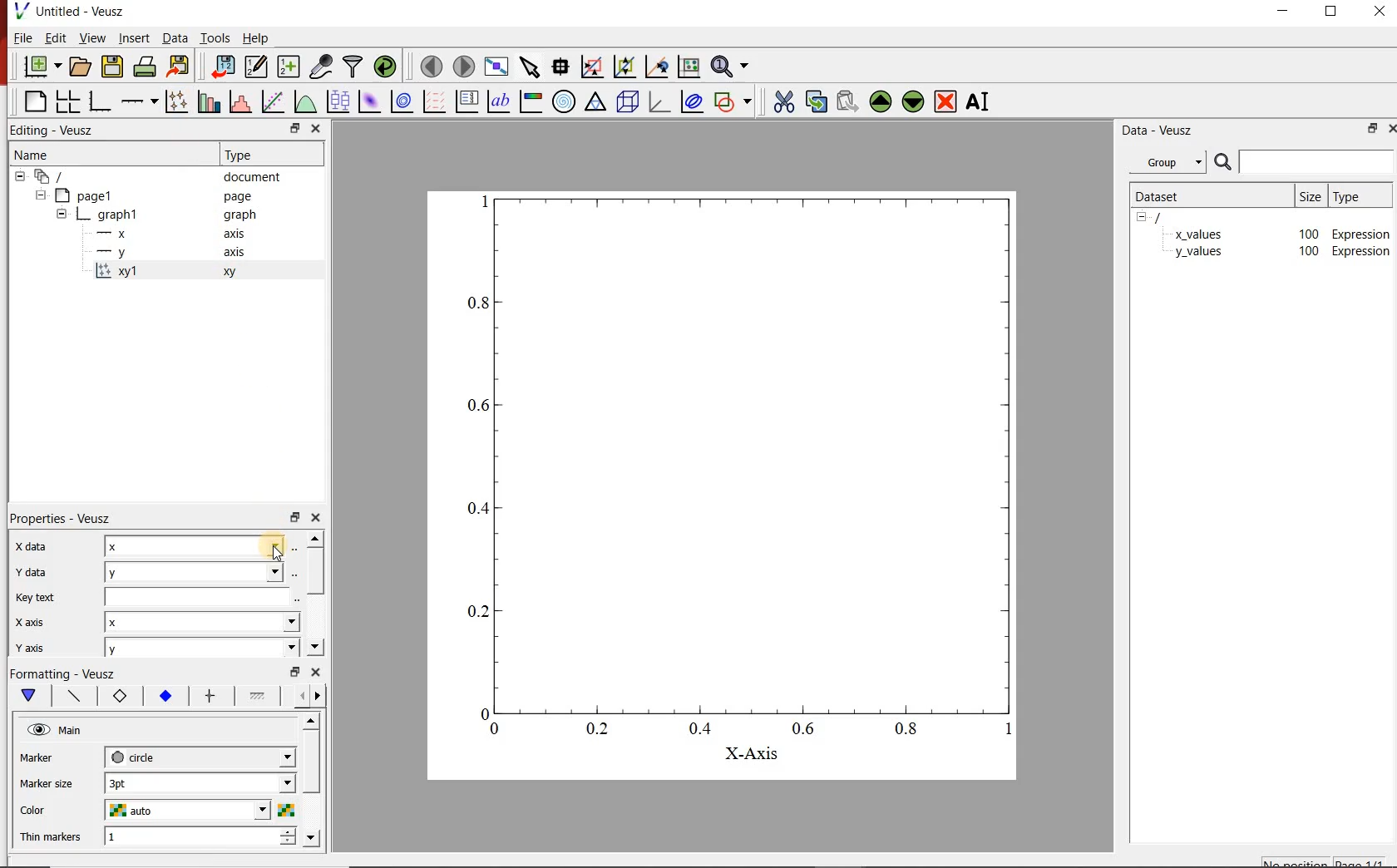 Image resolution: width=1397 pixels, height=868 pixels. Describe the element at coordinates (310, 762) in the screenshot. I see `vertical scrollbar` at that location.